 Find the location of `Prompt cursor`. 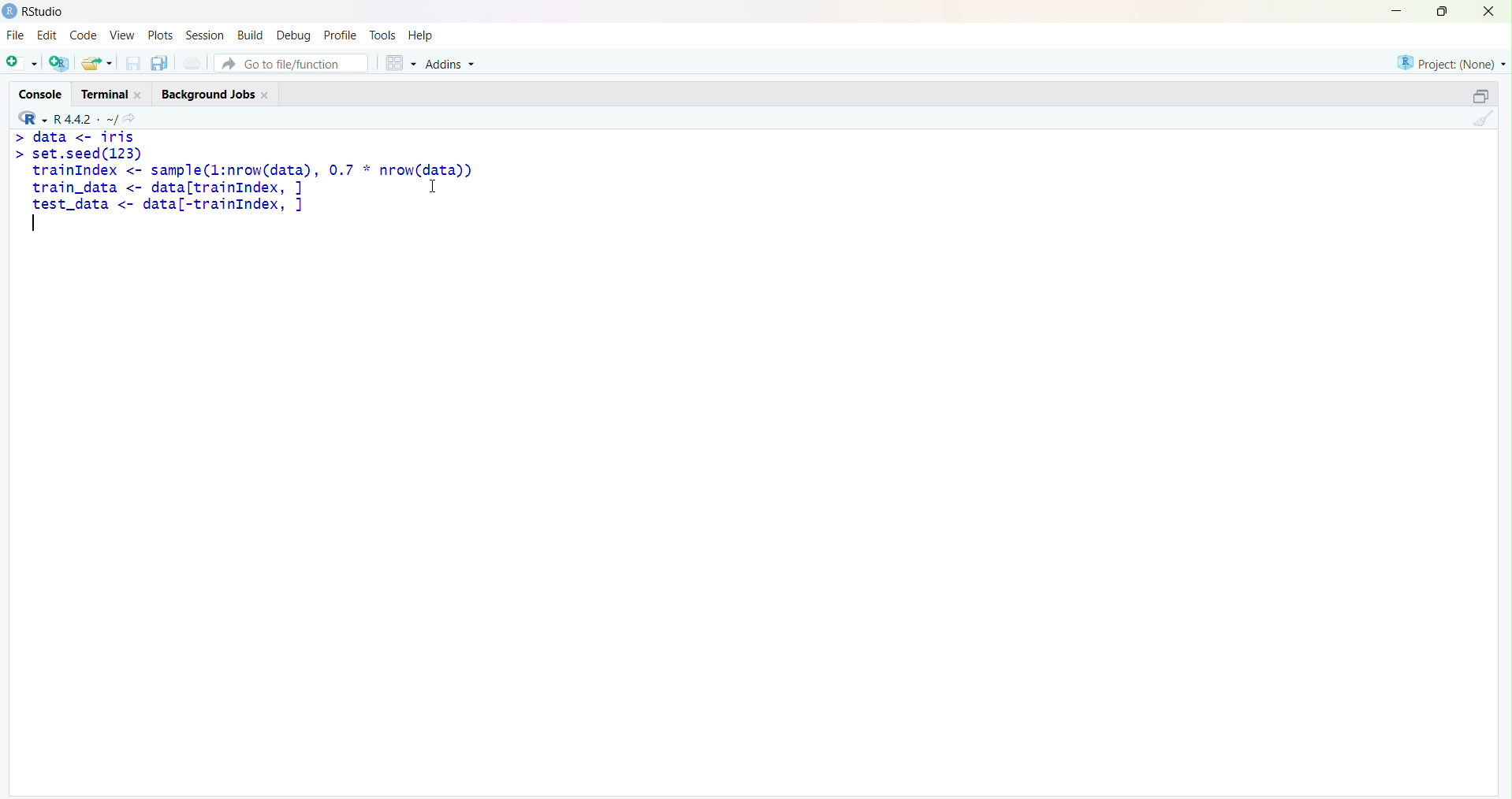

Prompt cursor is located at coordinates (18, 137).